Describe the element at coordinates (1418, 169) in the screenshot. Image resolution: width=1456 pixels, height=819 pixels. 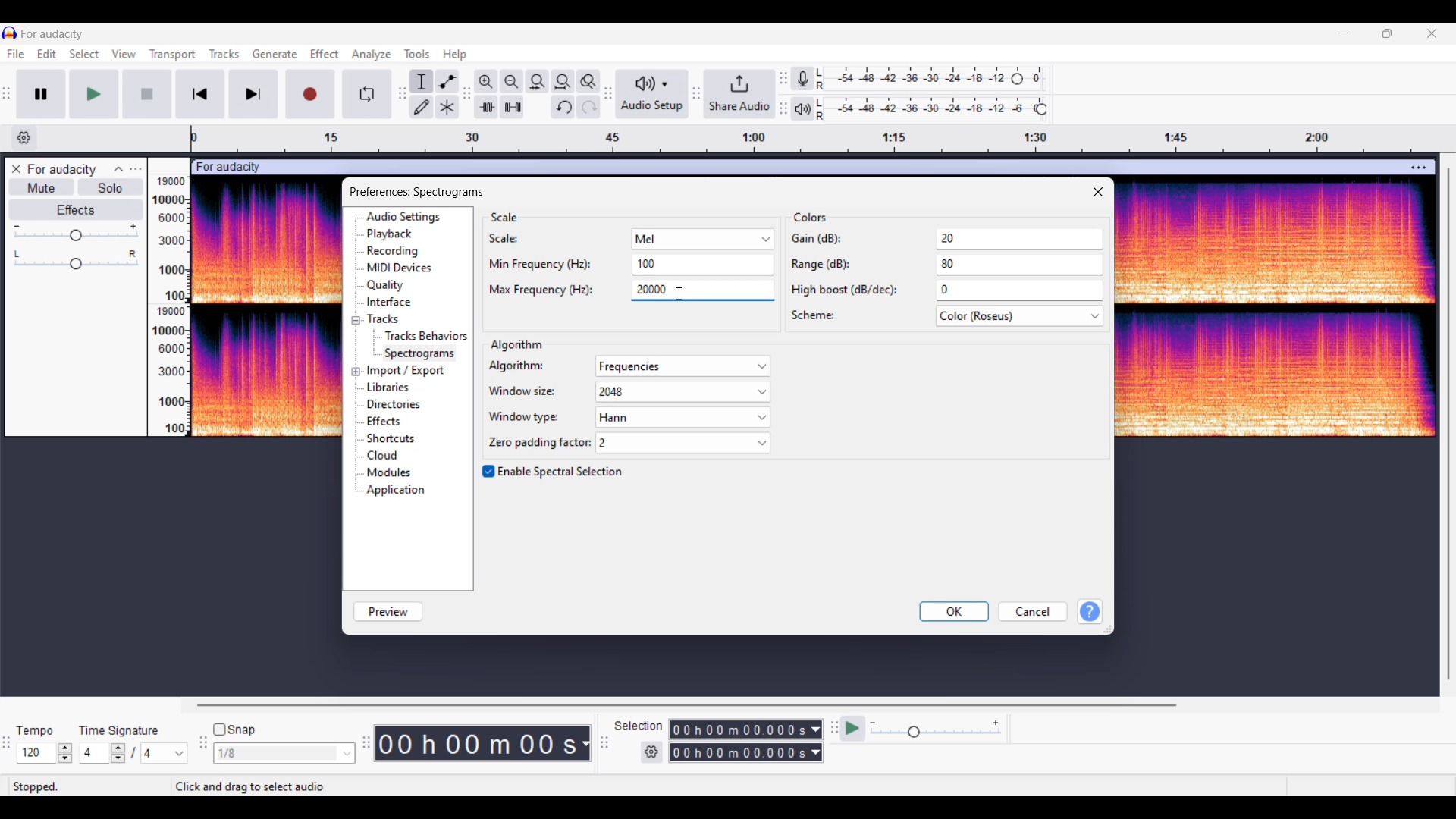
I see `Track settings` at that location.